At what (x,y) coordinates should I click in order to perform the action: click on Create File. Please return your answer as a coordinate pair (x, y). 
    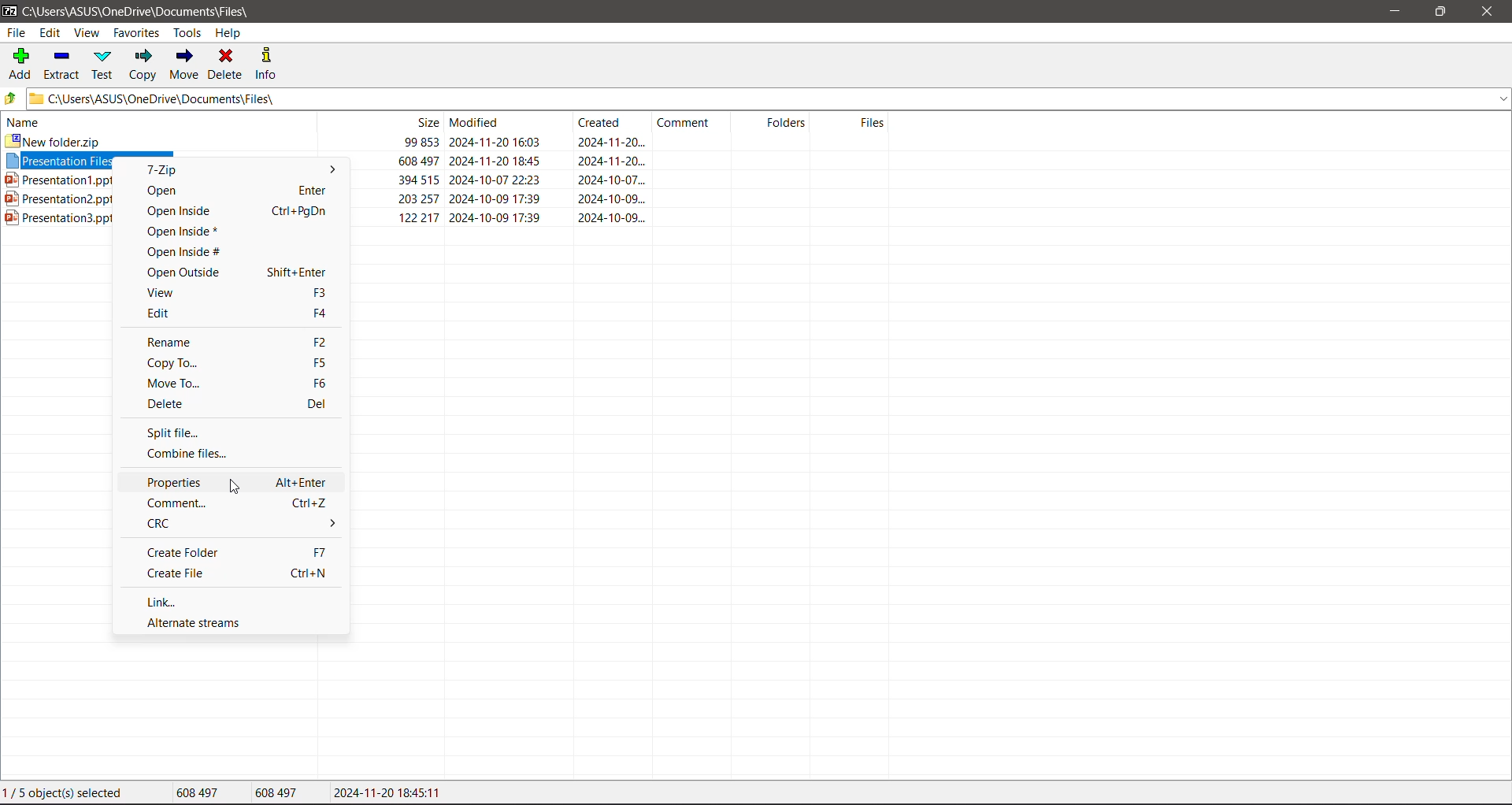
    Looking at the image, I should click on (238, 574).